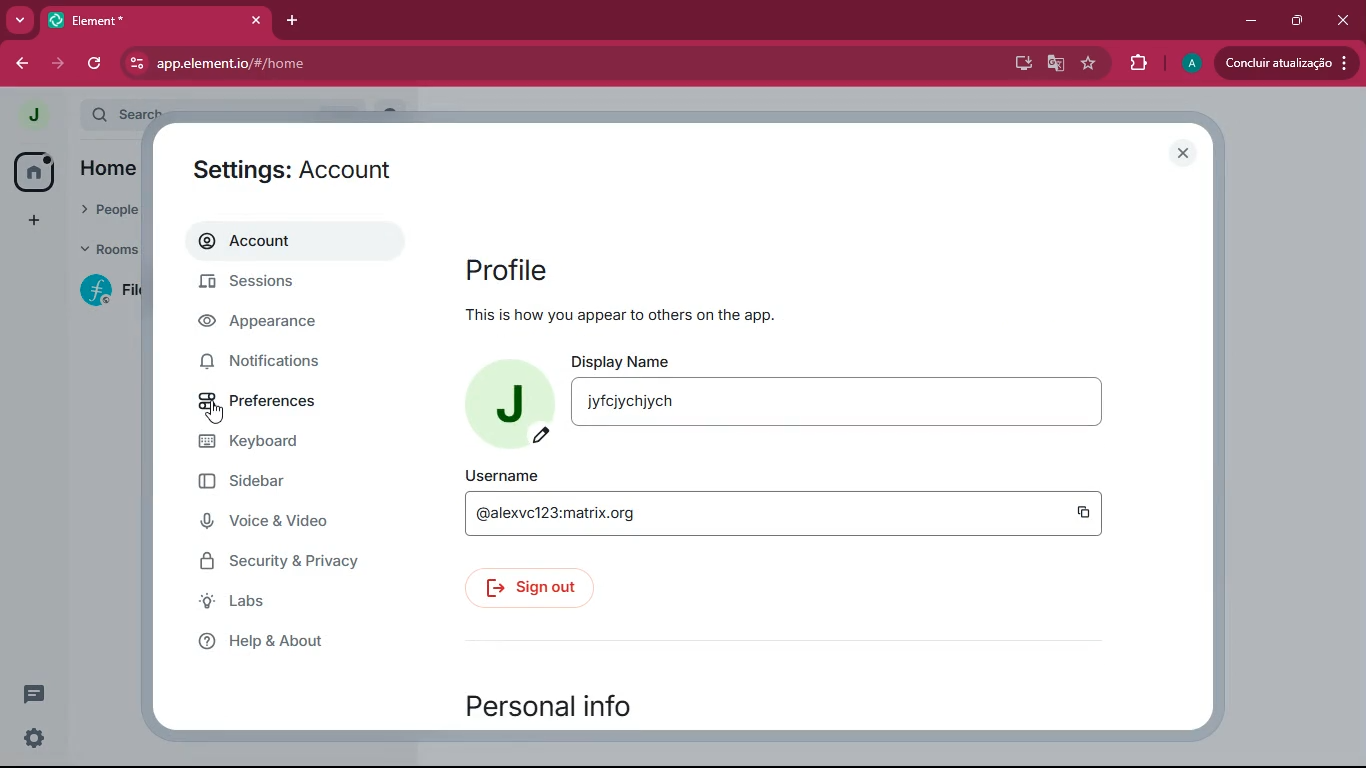  What do you see at coordinates (505, 475) in the screenshot?
I see `username` at bounding box center [505, 475].